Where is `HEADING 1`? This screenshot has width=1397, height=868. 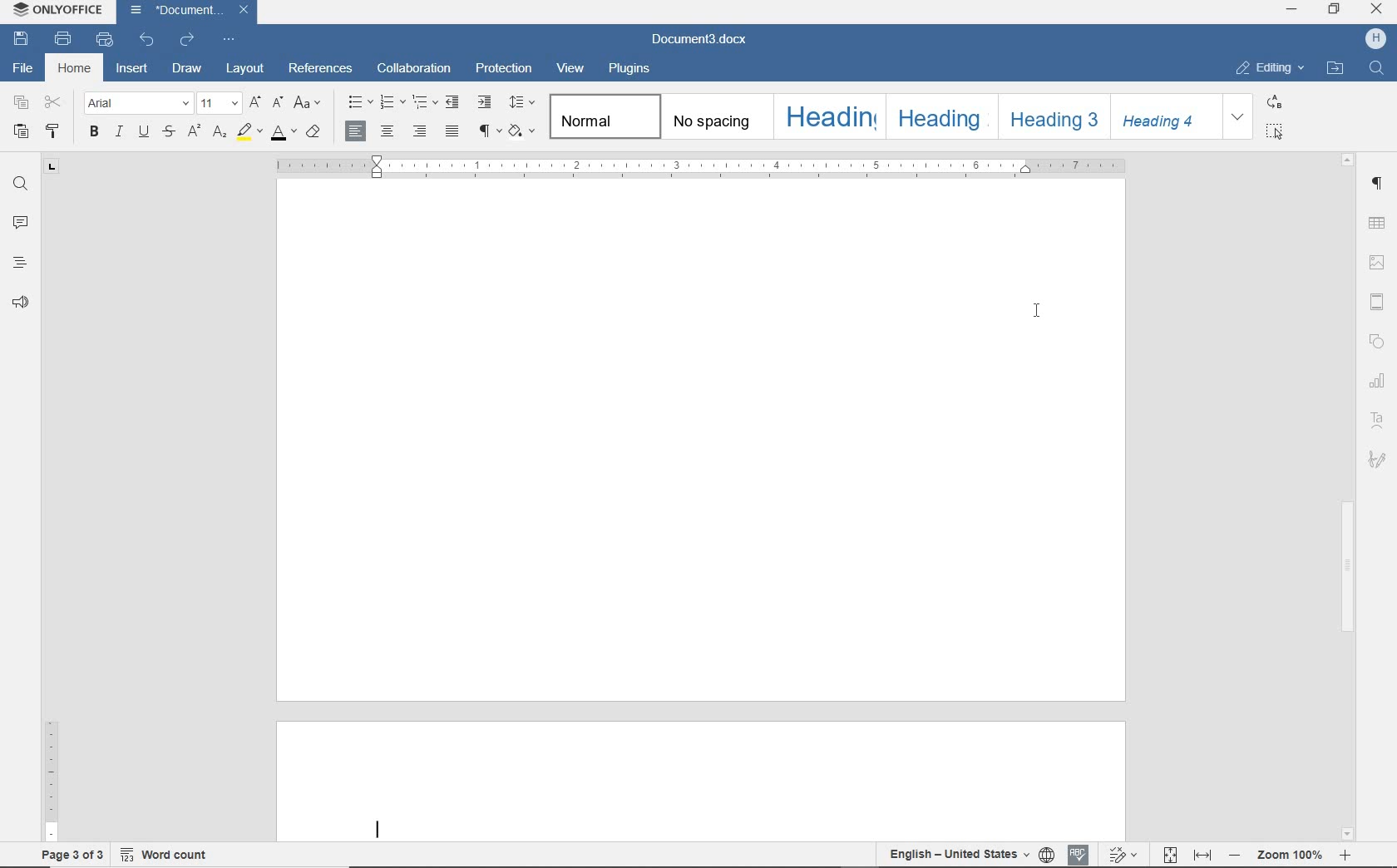 HEADING 1 is located at coordinates (827, 118).